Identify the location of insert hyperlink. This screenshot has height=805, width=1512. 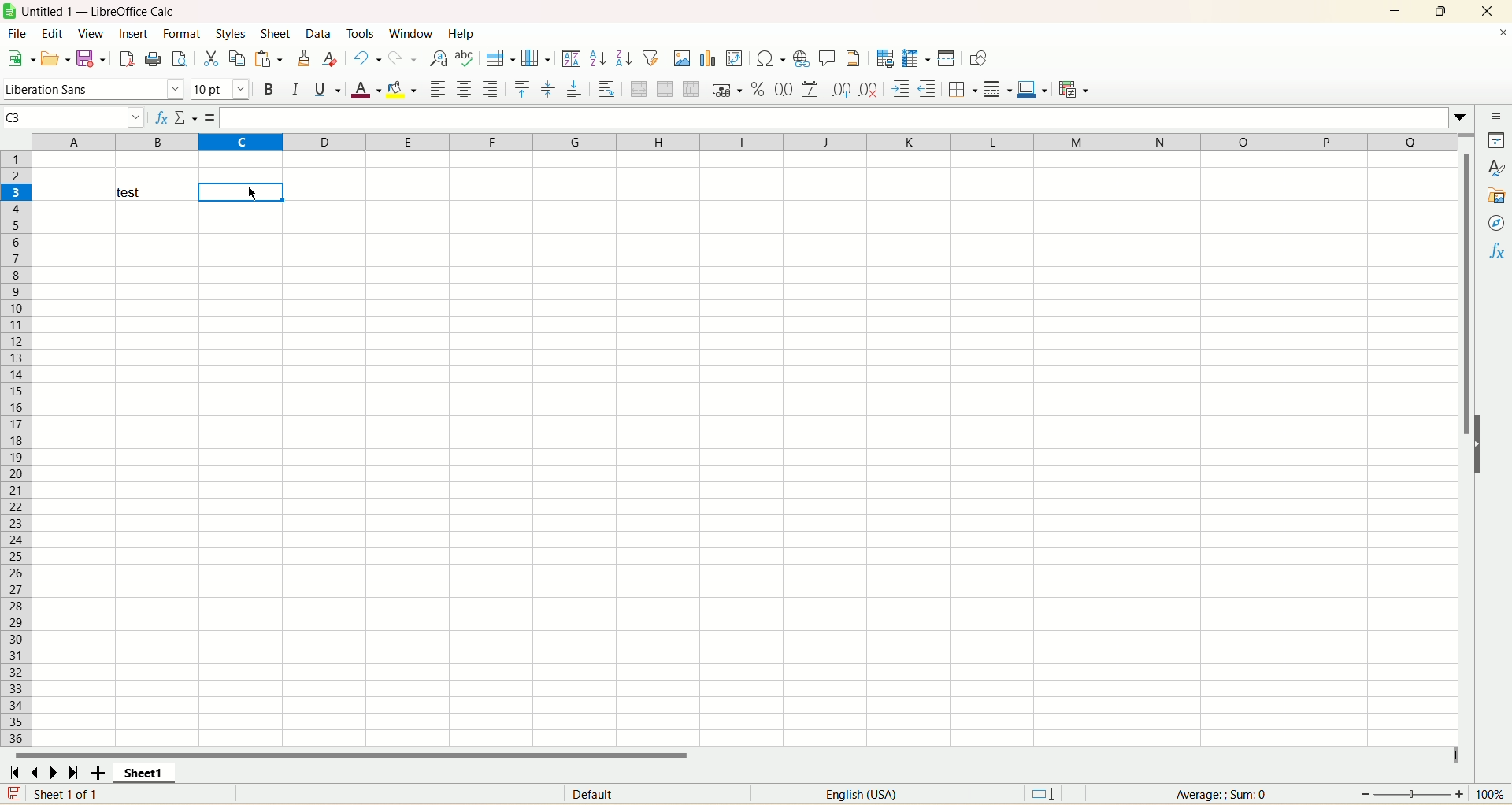
(801, 59).